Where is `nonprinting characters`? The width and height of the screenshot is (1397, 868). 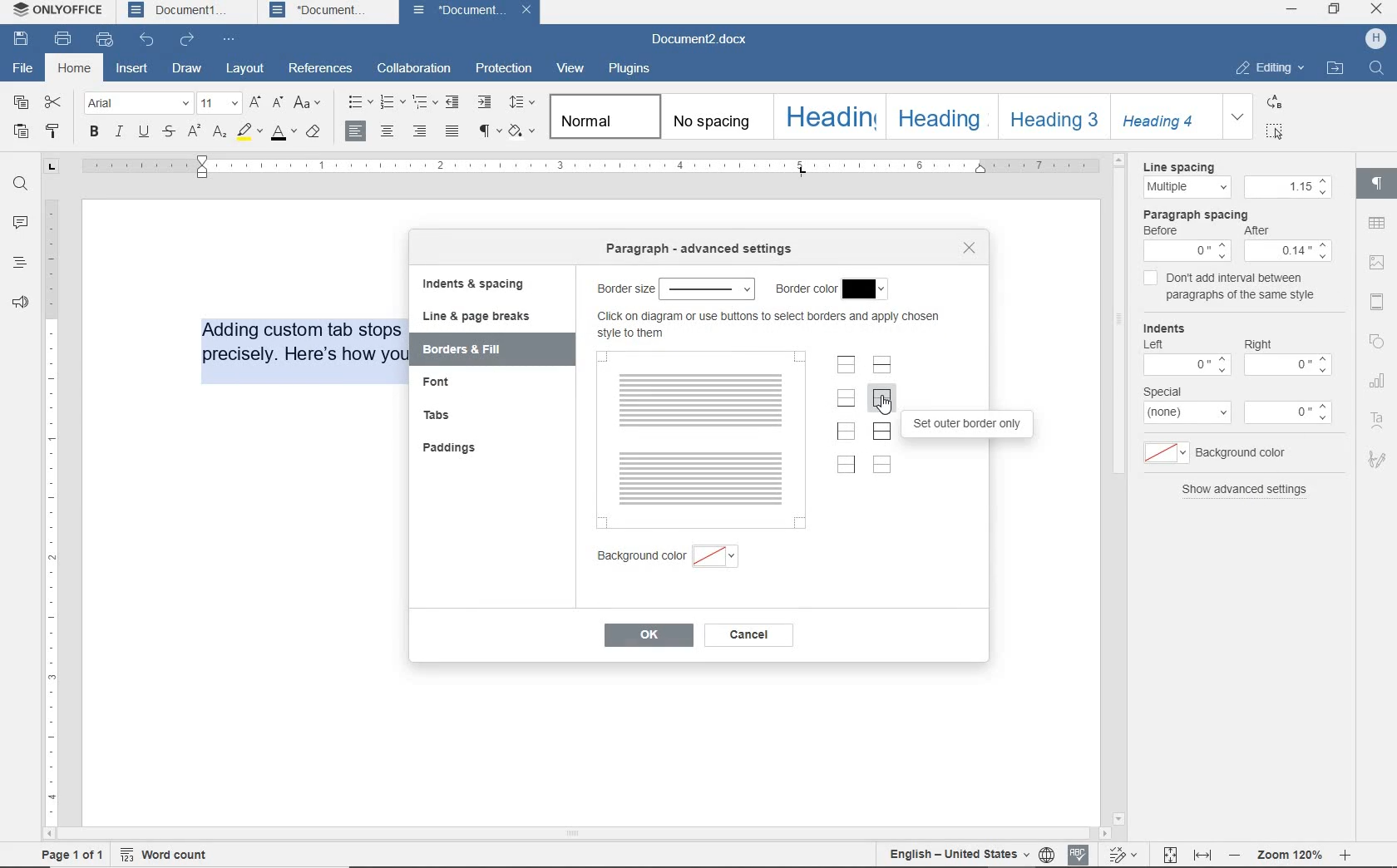
nonprinting characters is located at coordinates (488, 133).